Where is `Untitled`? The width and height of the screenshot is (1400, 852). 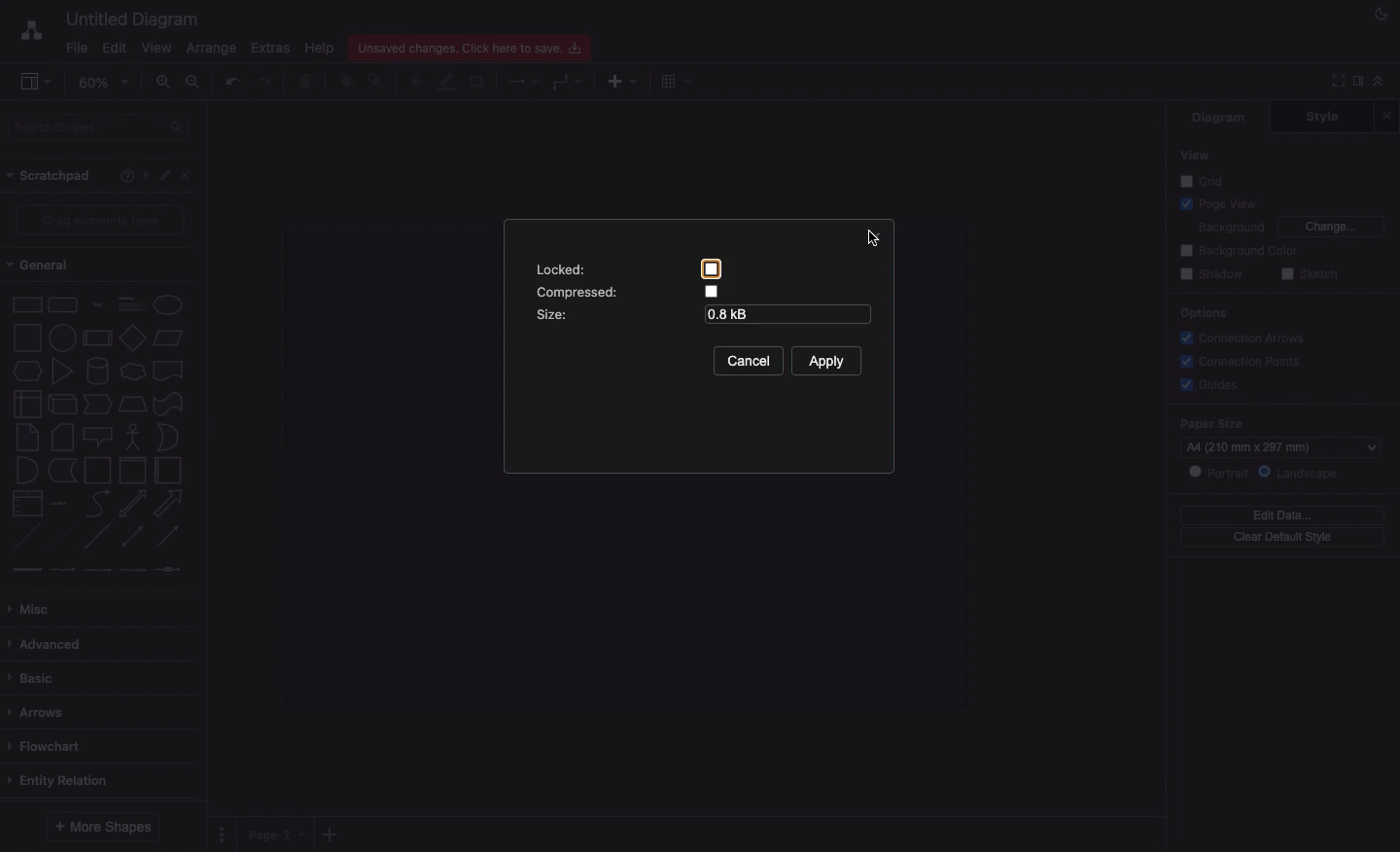
Untitled is located at coordinates (128, 18).